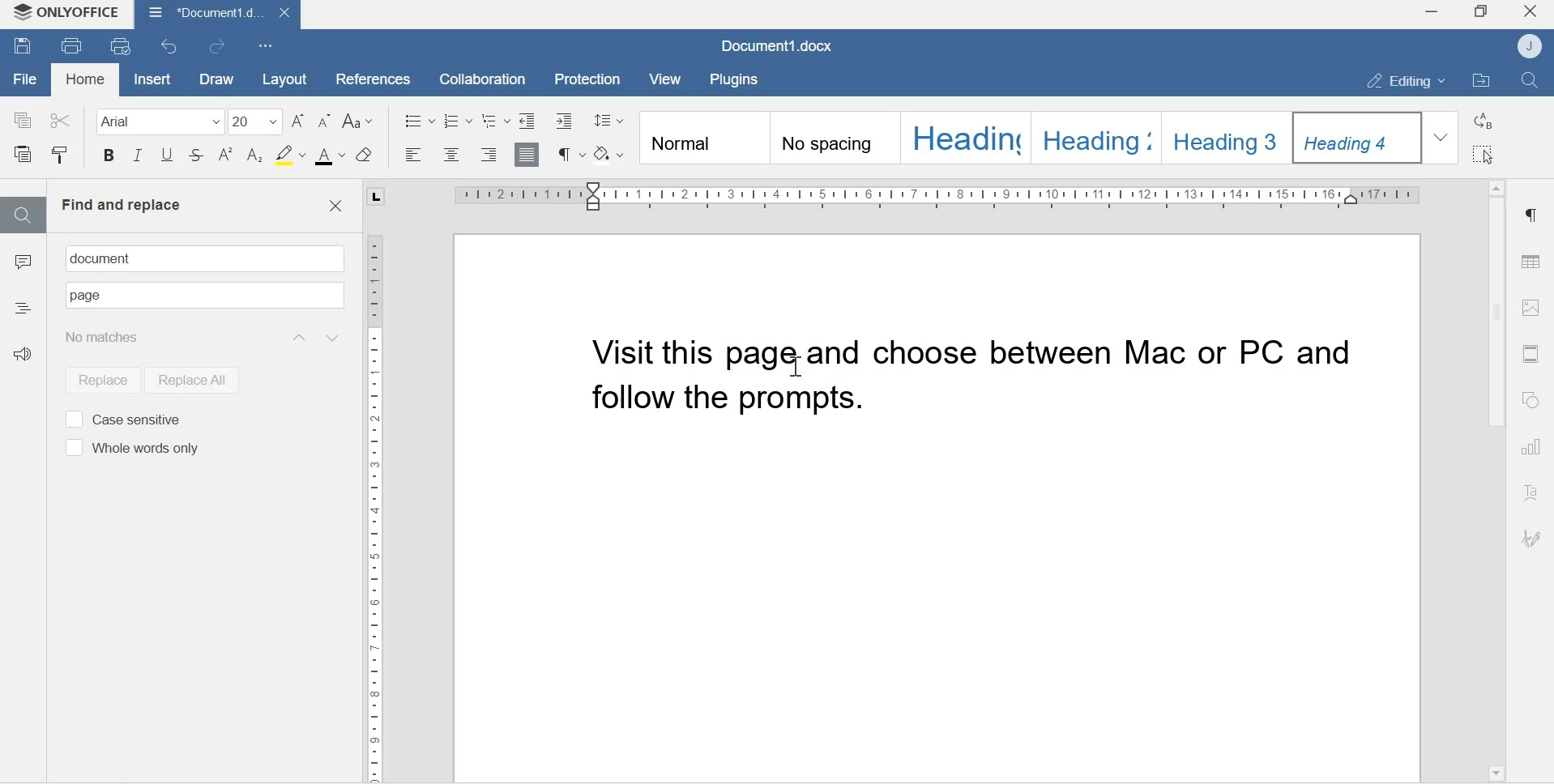 This screenshot has width=1554, height=784. I want to click on Copy style, so click(60, 156).